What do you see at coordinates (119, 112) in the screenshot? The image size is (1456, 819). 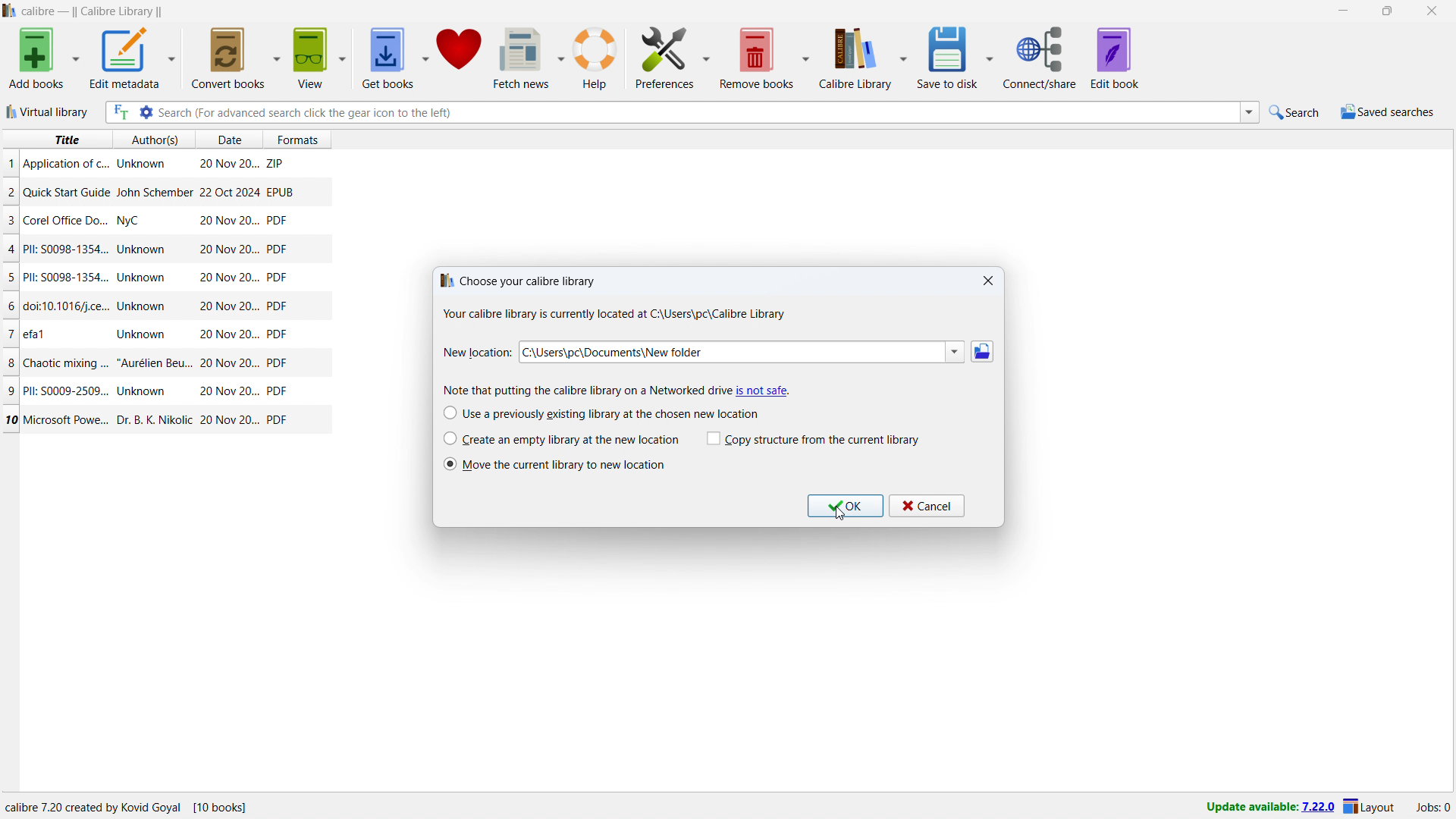 I see `full text search` at bounding box center [119, 112].